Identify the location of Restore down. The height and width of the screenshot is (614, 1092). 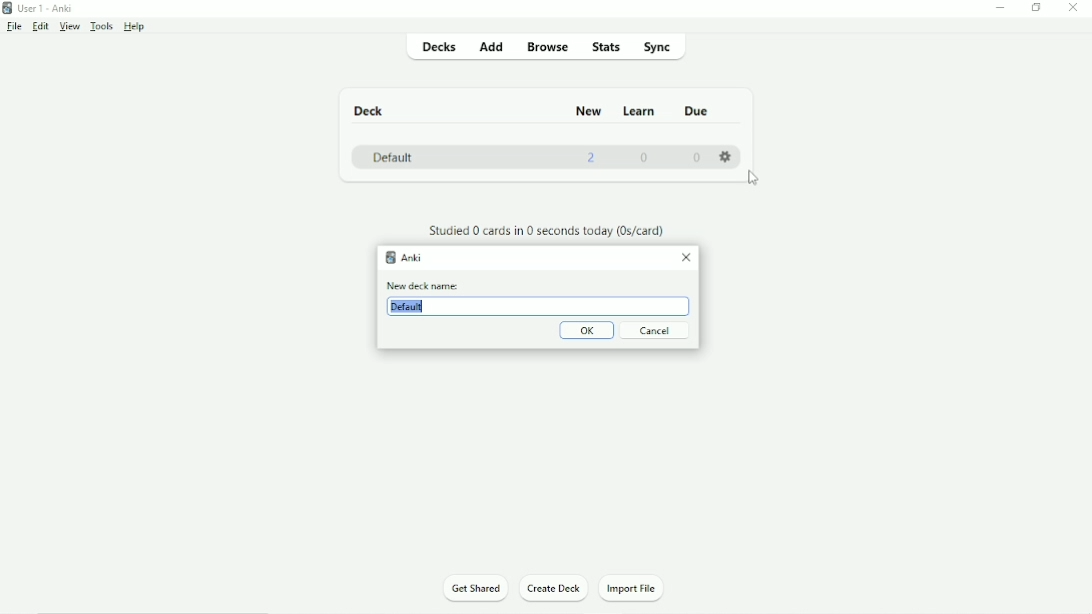
(1037, 8).